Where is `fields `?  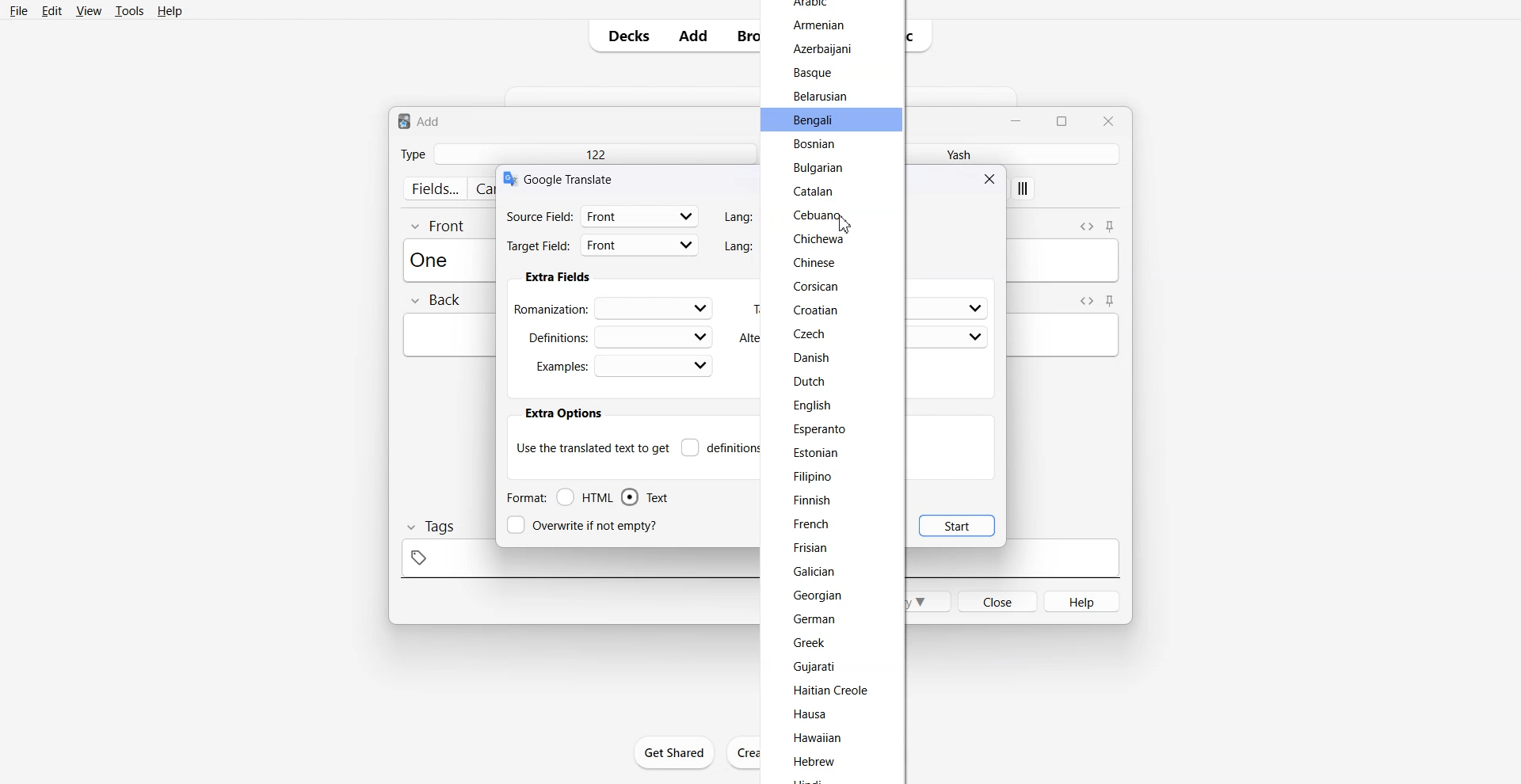
fields  is located at coordinates (434, 188).